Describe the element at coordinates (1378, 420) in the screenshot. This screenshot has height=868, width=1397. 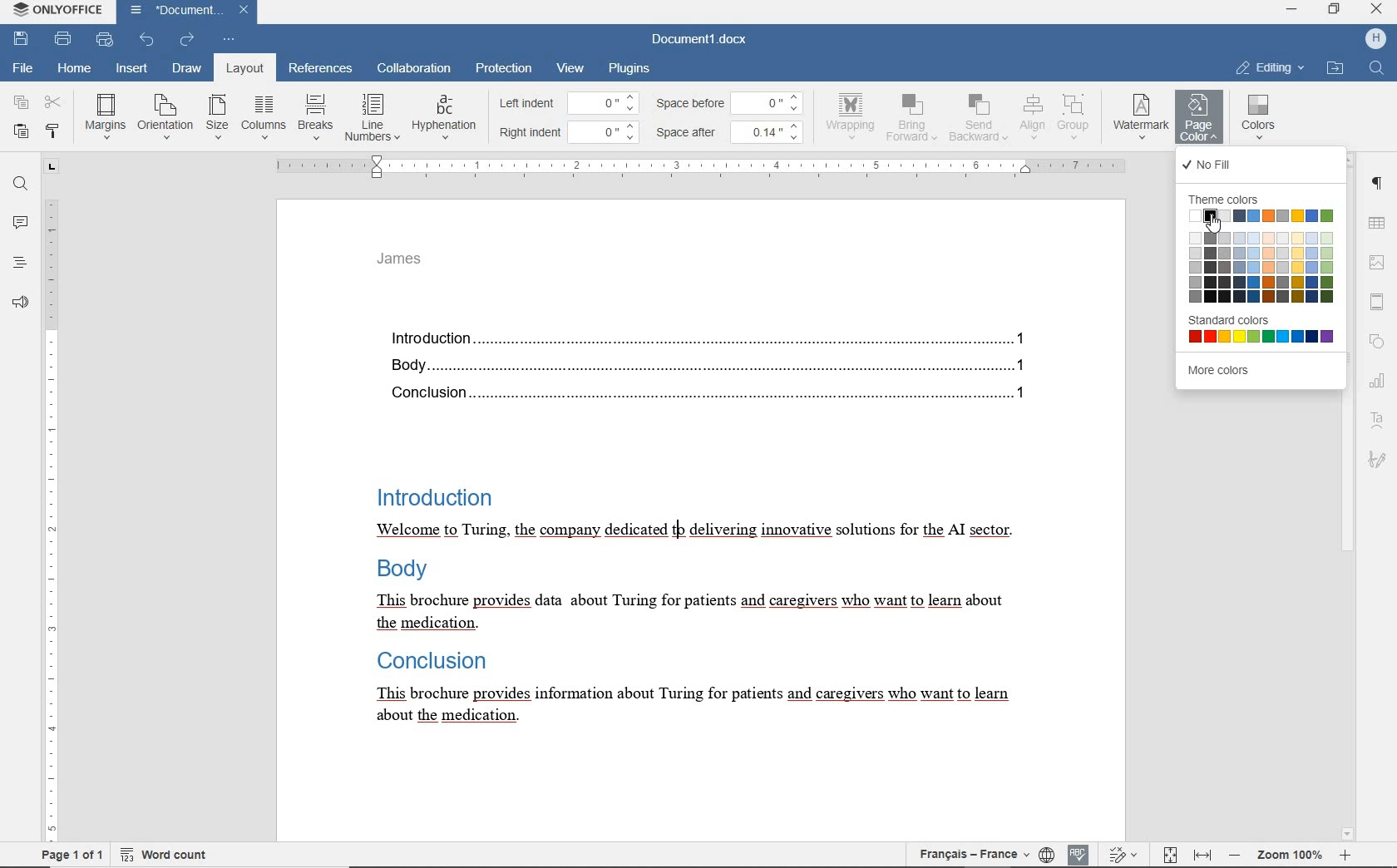
I see `text art` at that location.